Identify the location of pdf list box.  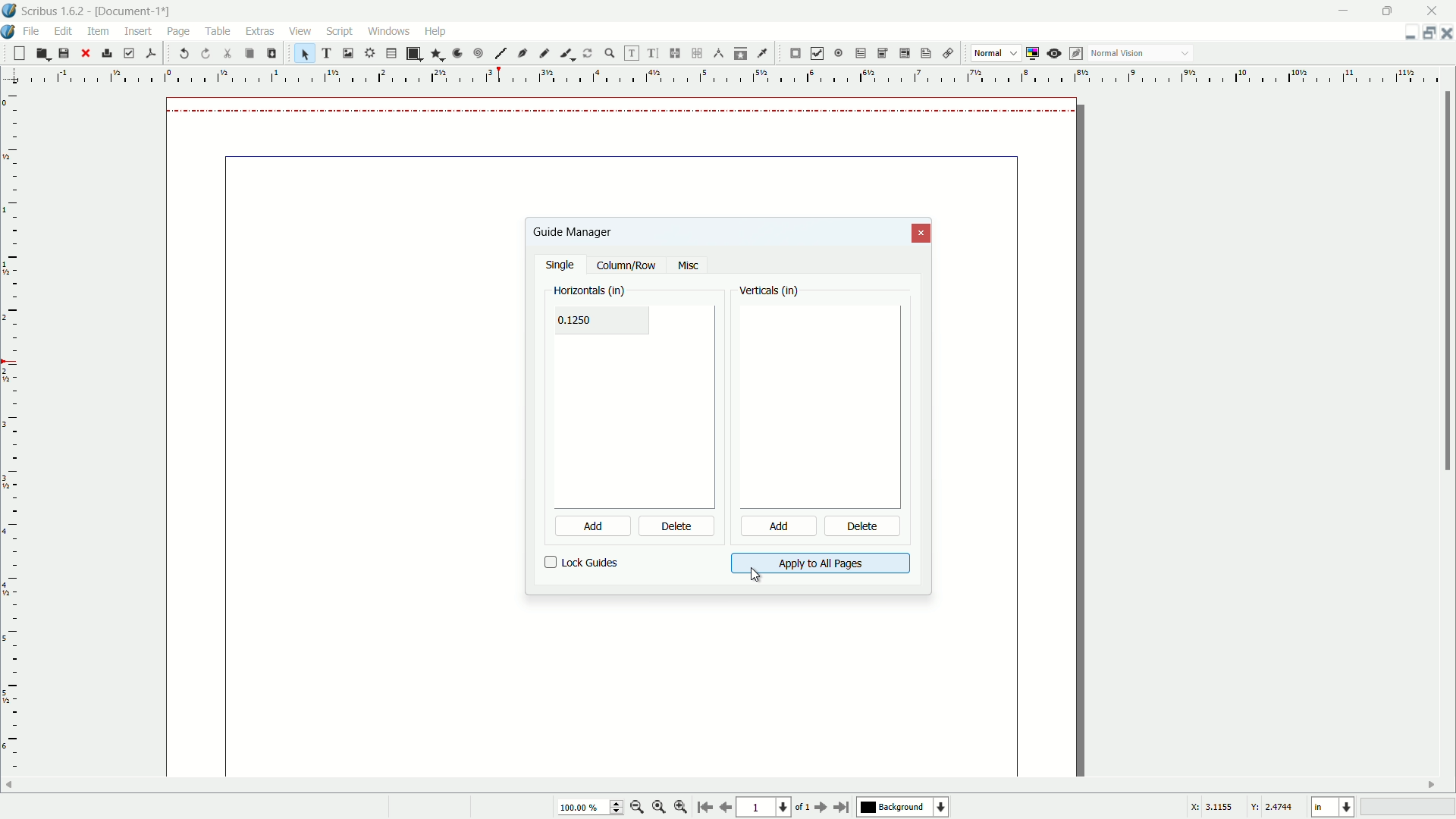
(902, 55).